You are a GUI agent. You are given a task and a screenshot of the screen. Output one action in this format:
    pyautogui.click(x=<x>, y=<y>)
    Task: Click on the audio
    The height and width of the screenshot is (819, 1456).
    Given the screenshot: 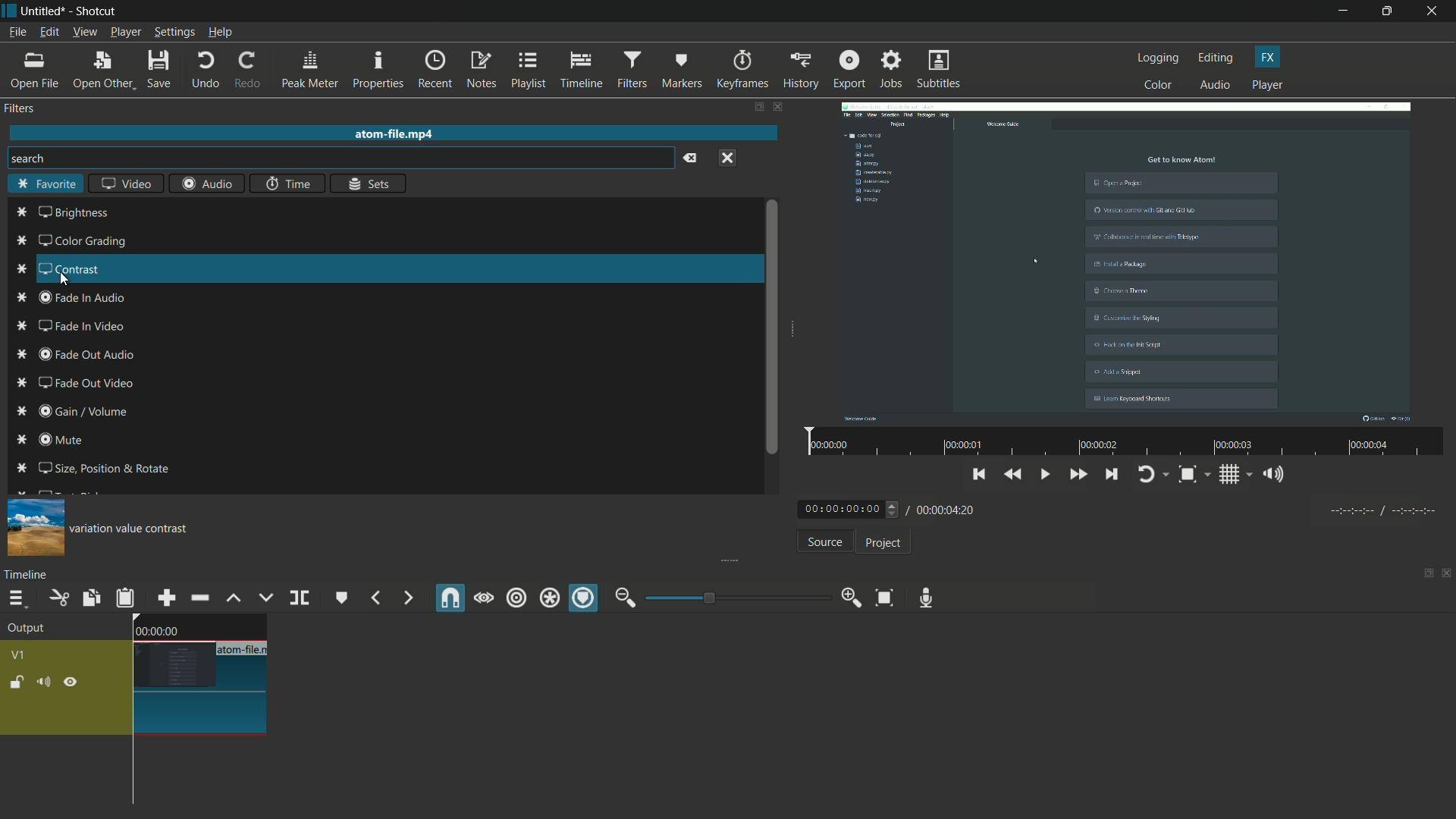 What is the action you would take?
    pyautogui.click(x=1216, y=86)
    